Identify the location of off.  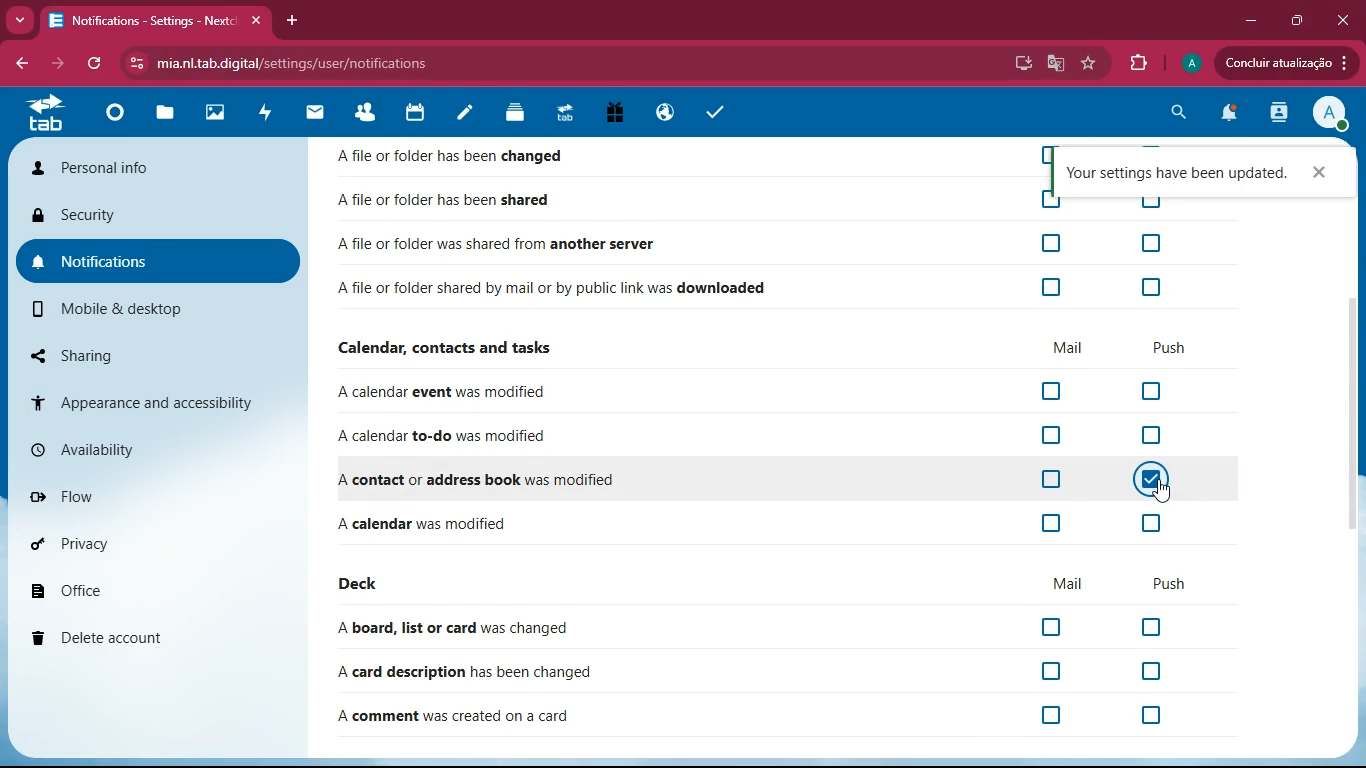
(1155, 437).